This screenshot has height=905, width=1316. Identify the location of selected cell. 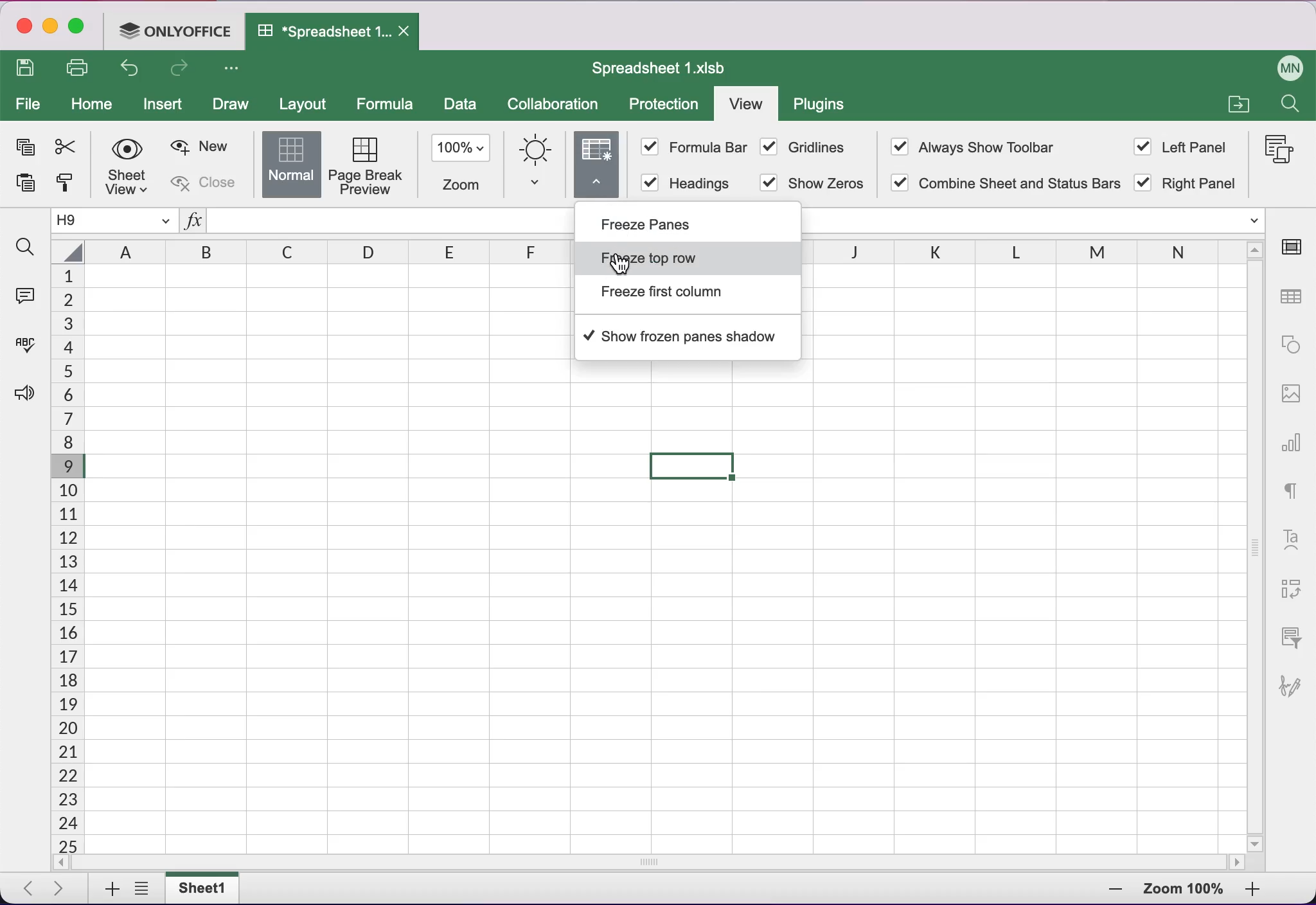
(693, 467).